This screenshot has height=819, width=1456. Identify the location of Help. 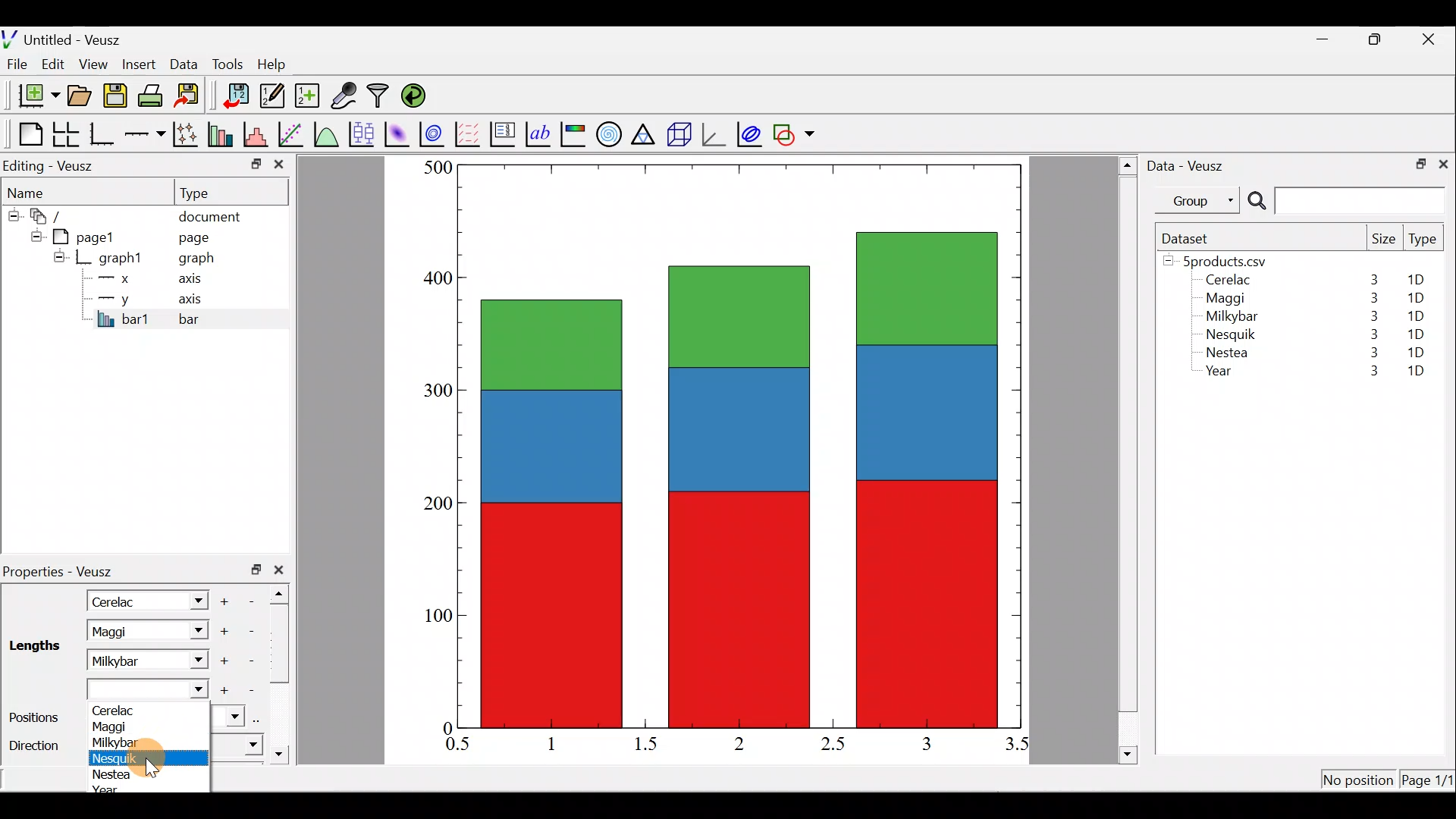
(281, 64).